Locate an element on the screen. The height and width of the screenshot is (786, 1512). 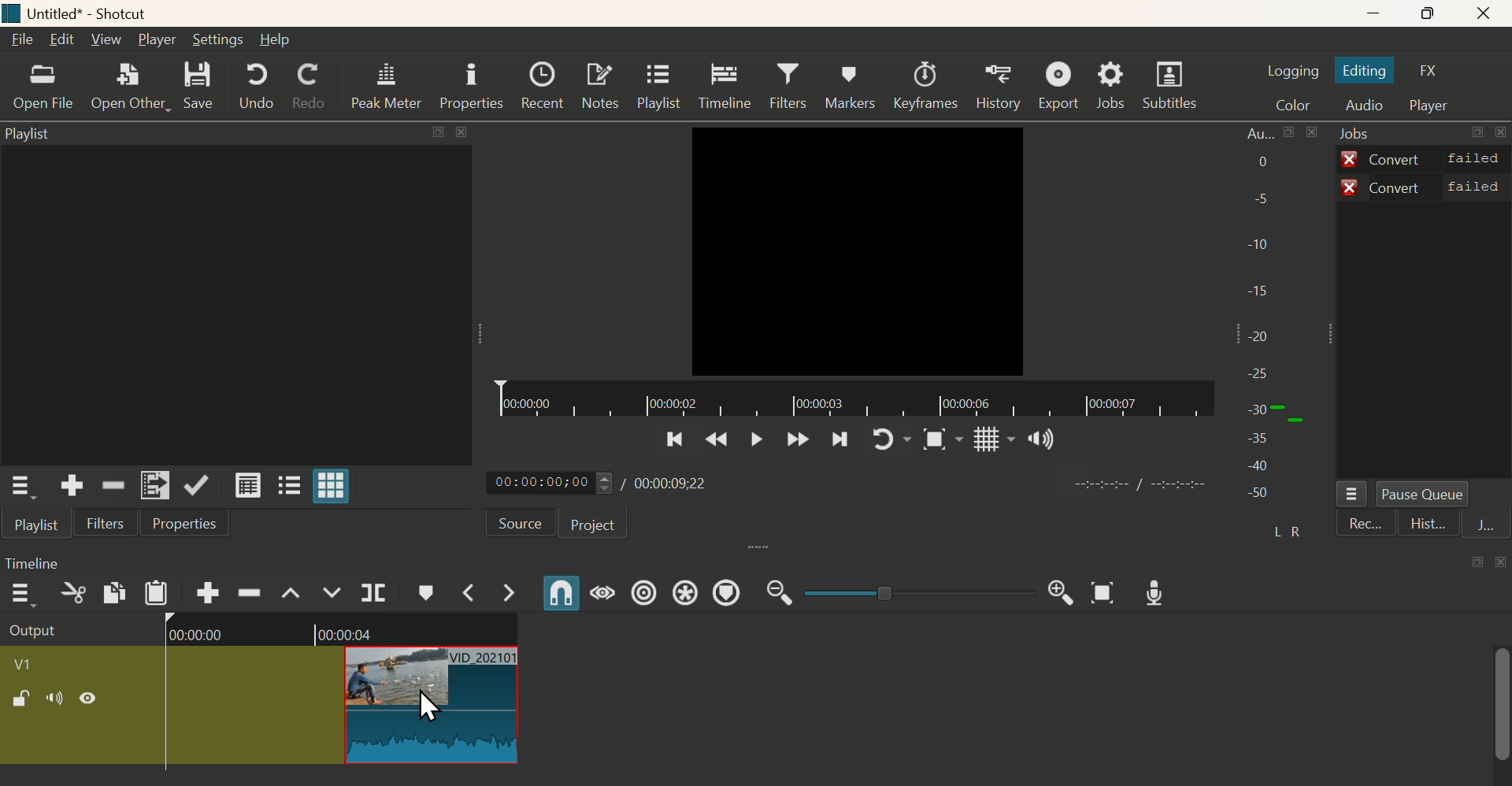
View is located at coordinates (105, 38).